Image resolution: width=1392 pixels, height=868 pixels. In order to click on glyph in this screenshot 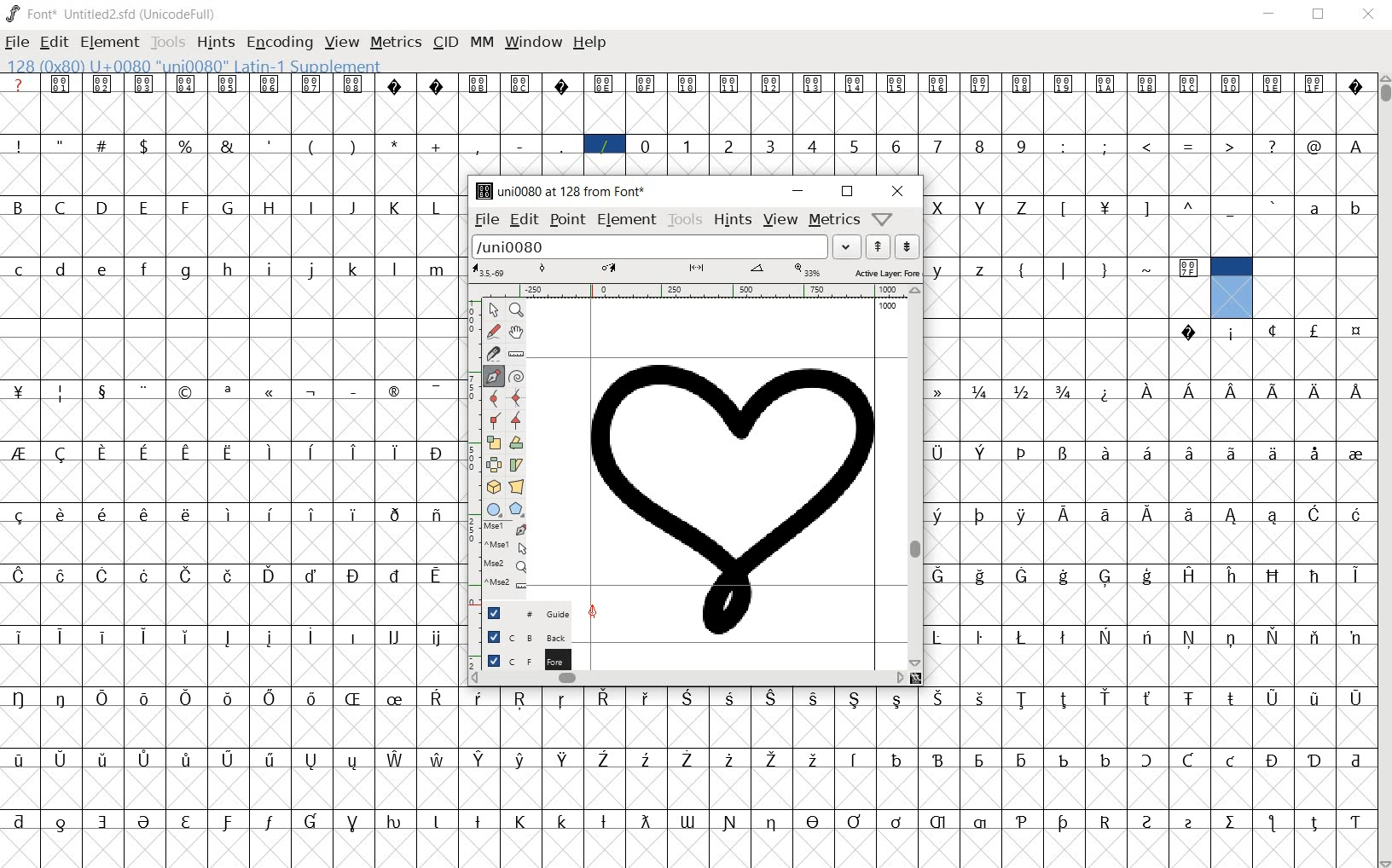, I will do `click(145, 699)`.